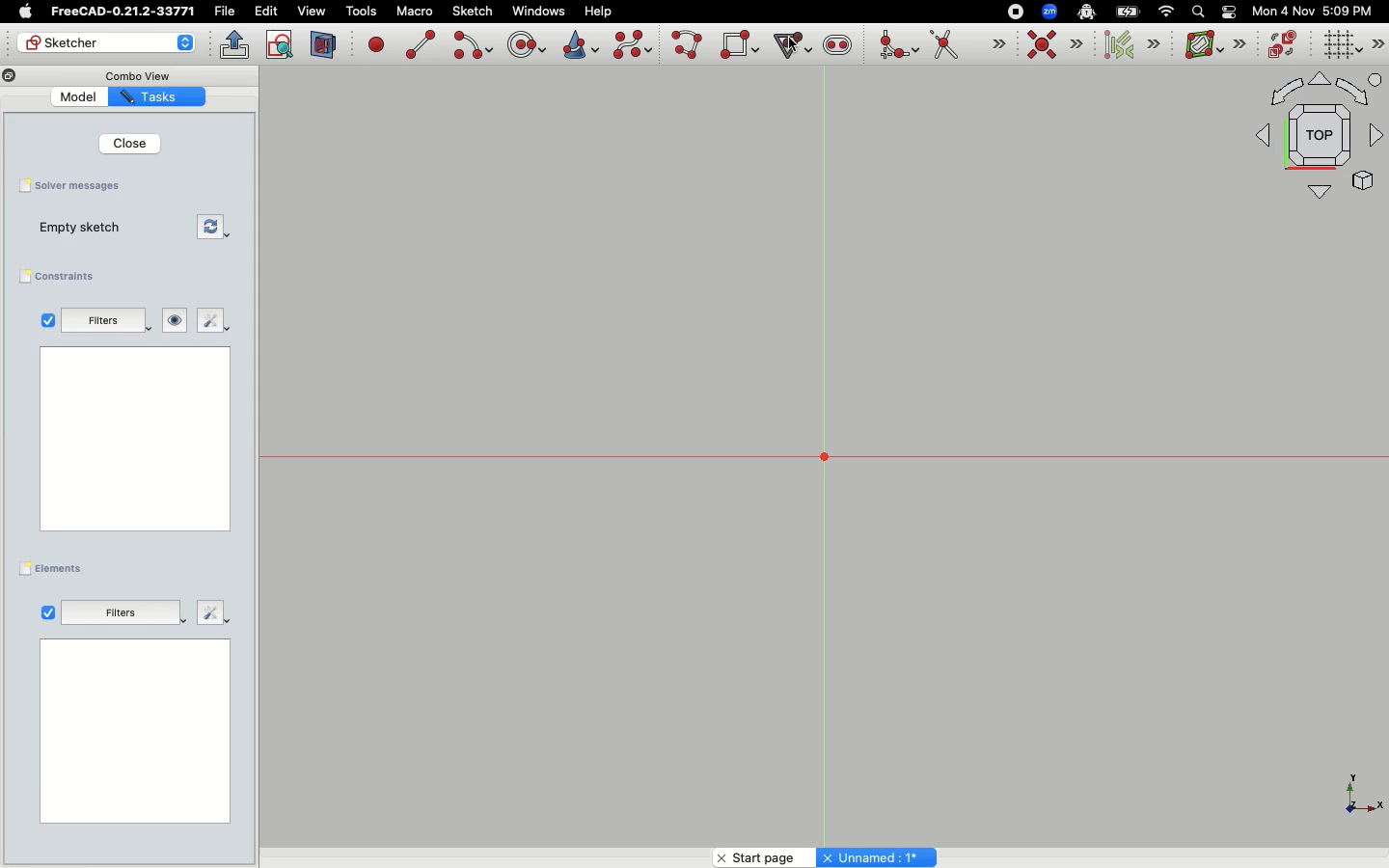  I want to click on Model, so click(81, 98).